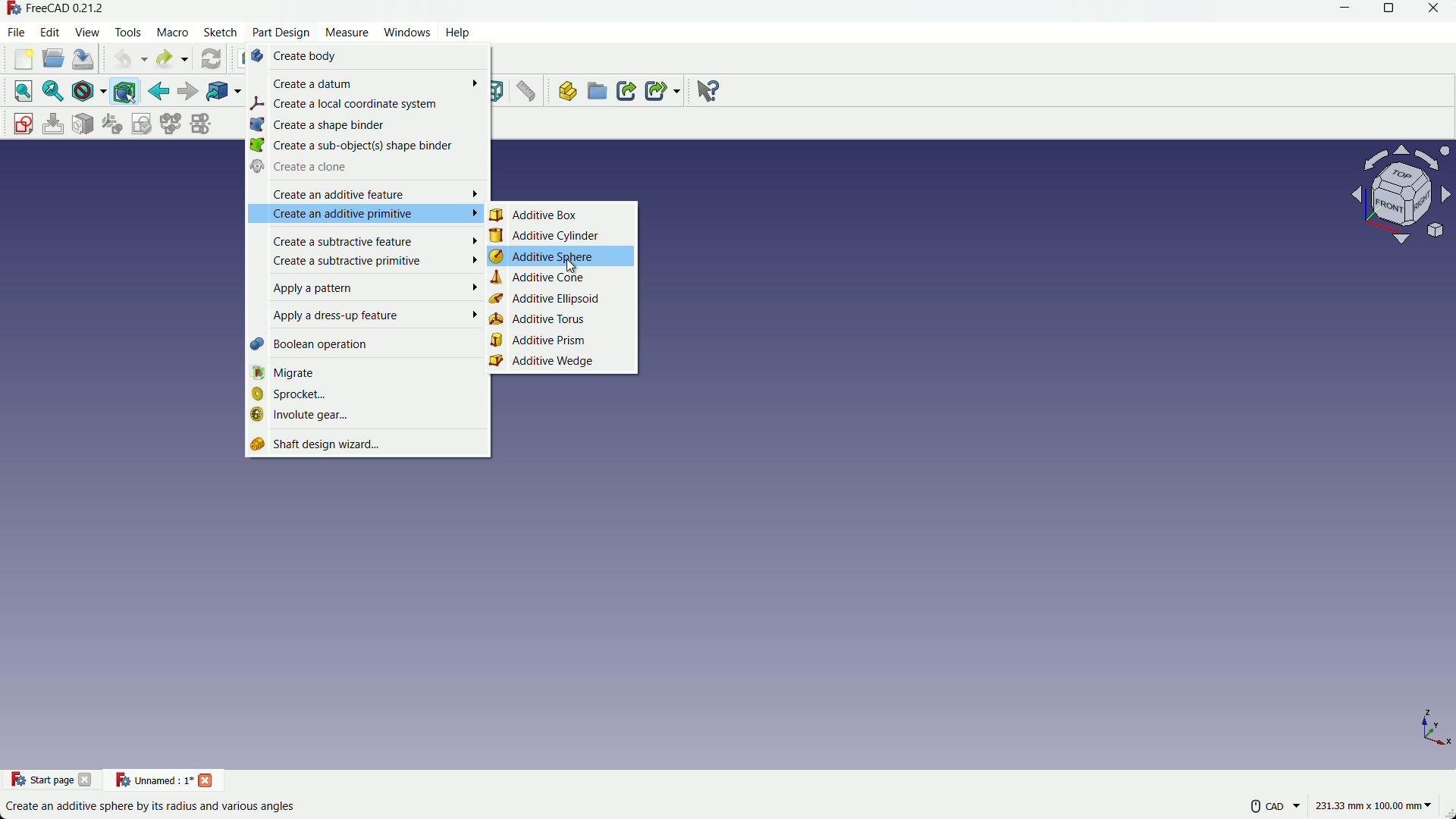 The width and height of the screenshot is (1456, 819). Describe the element at coordinates (1400, 193) in the screenshot. I see `rotate or change view` at that location.